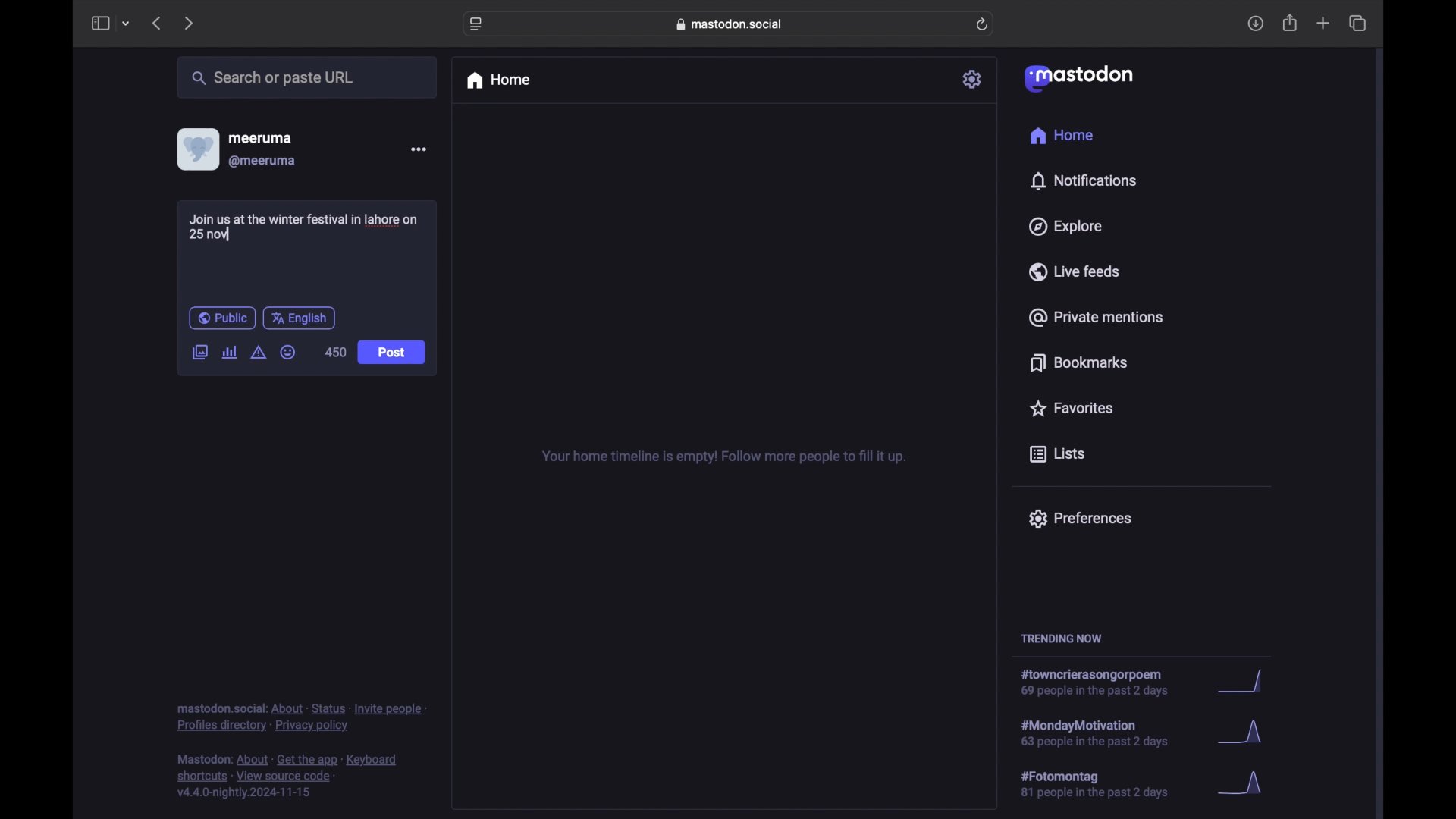 The width and height of the screenshot is (1456, 819). What do you see at coordinates (1083, 180) in the screenshot?
I see `notifications` at bounding box center [1083, 180].